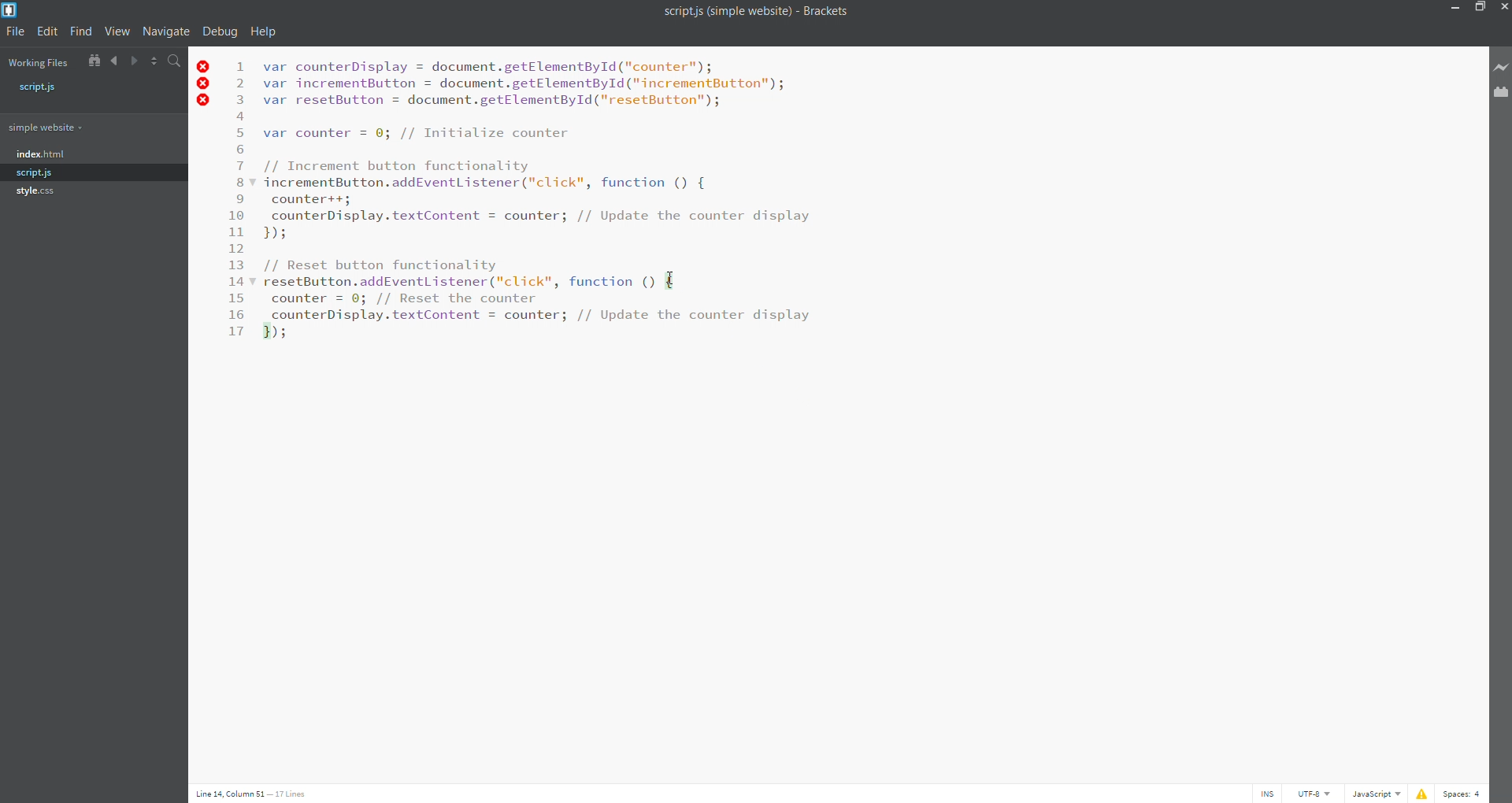  Describe the element at coordinates (266, 793) in the screenshot. I see `cursor position` at that location.